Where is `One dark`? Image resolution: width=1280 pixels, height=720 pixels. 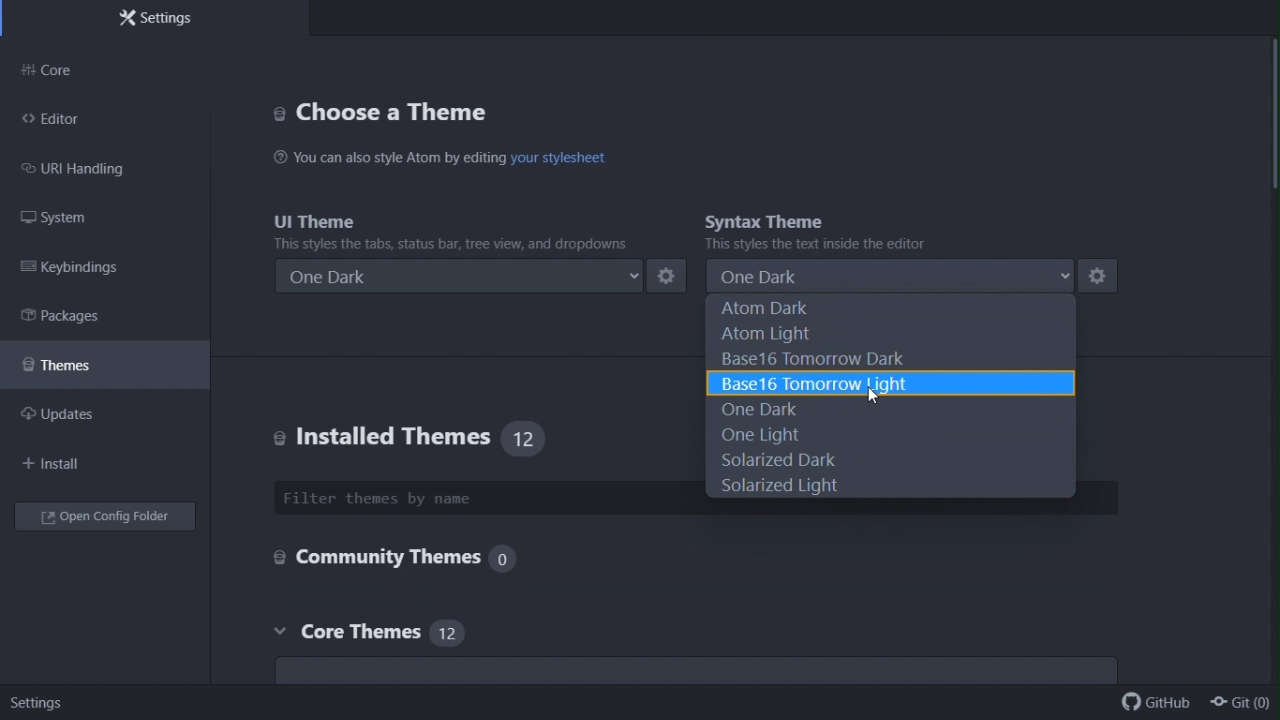
One dark is located at coordinates (463, 274).